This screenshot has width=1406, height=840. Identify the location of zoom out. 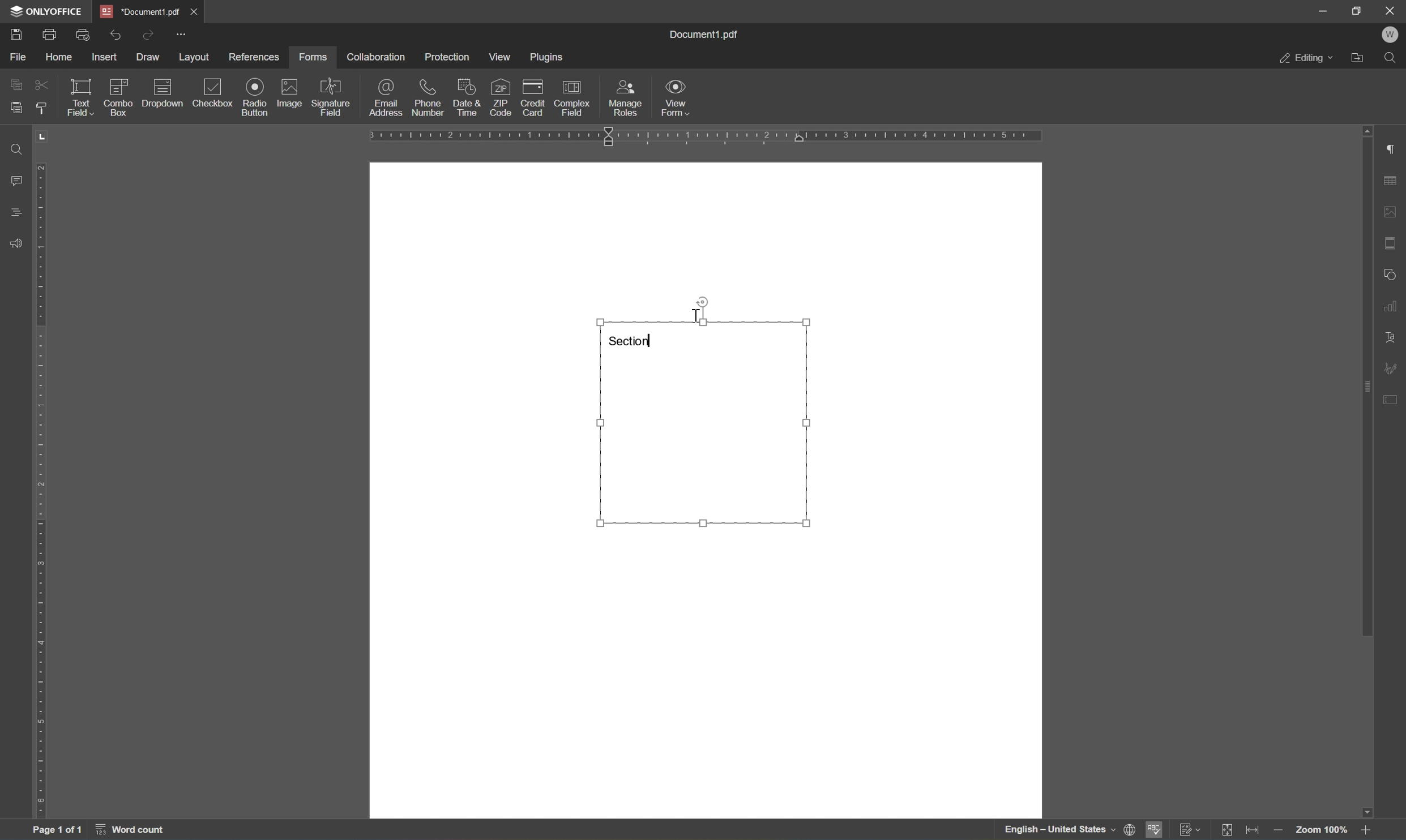
(1281, 830).